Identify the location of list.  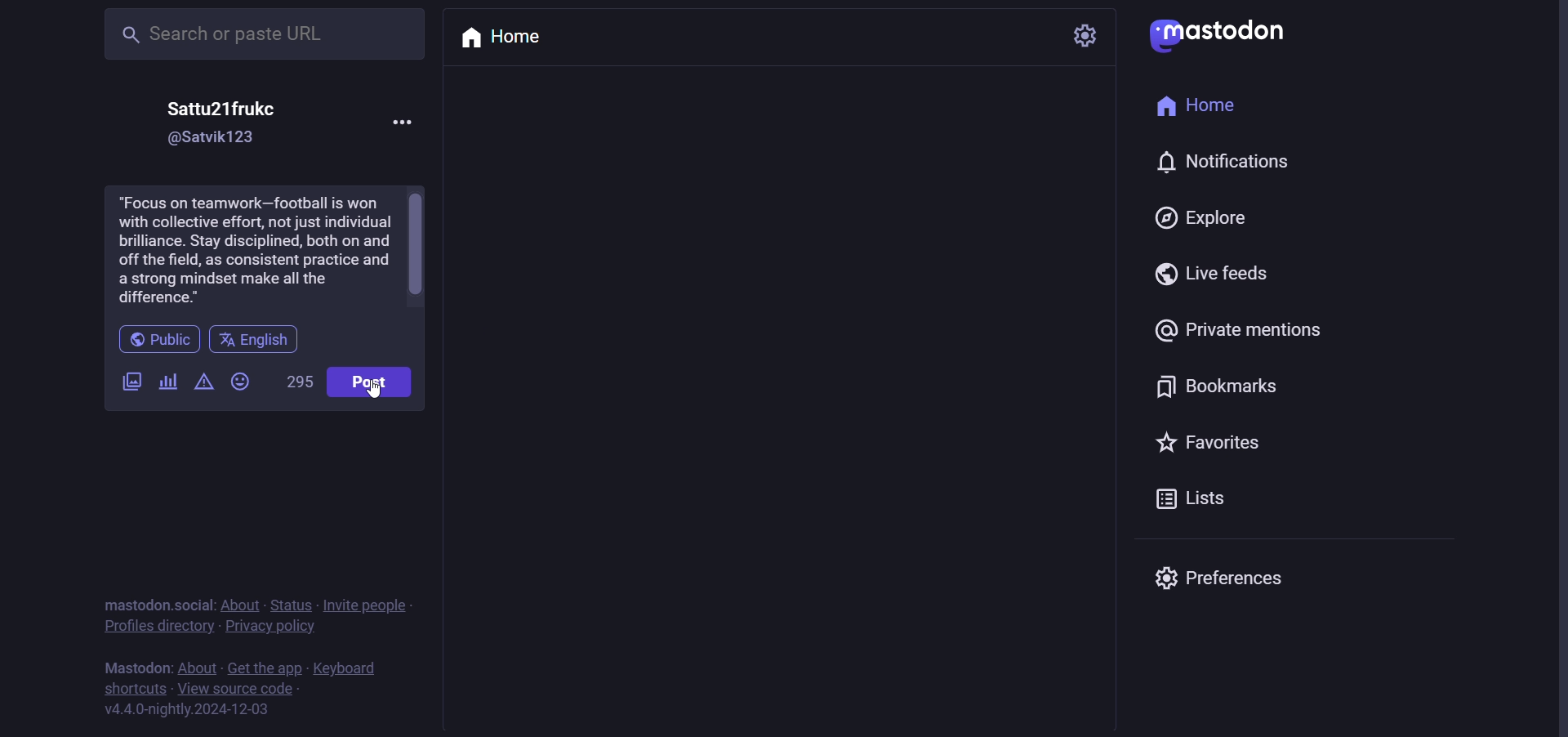
(1199, 498).